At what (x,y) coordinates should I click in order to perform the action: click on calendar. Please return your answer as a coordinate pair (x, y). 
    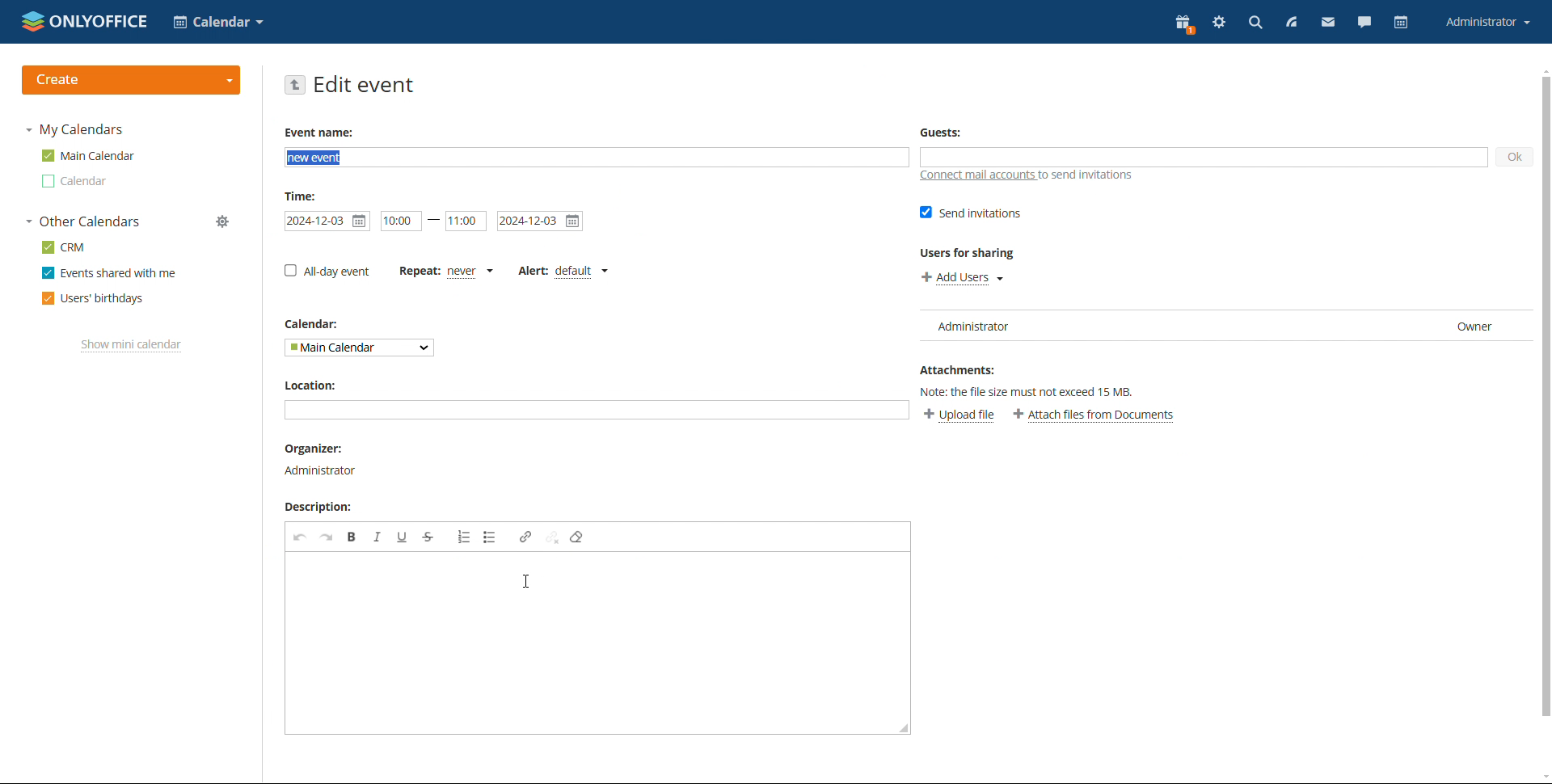
    Looking at the image, I should click on (1402, 22).